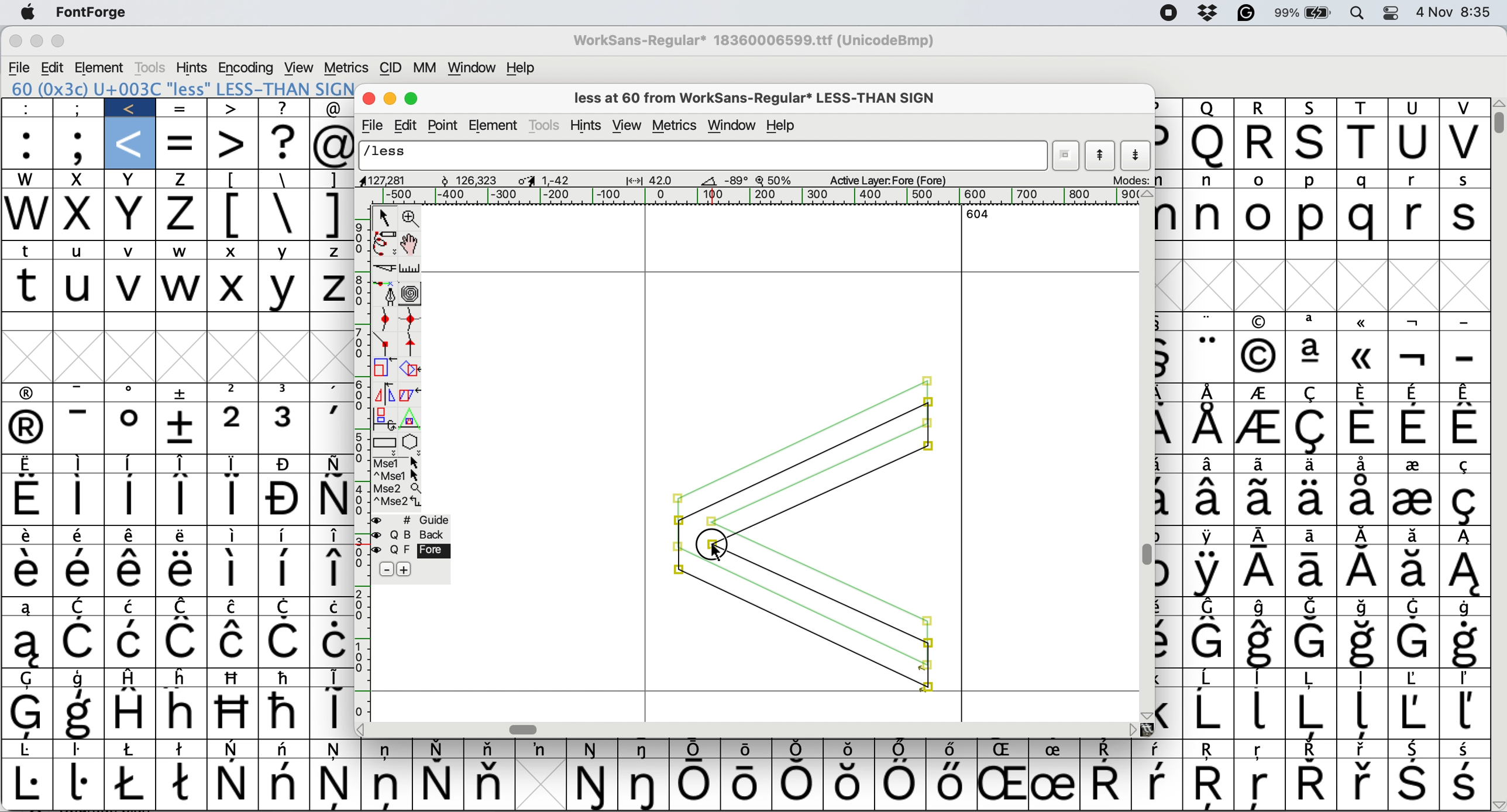 This screenshot has height=812, width=1507. I want to click on add, so click(405, 569).